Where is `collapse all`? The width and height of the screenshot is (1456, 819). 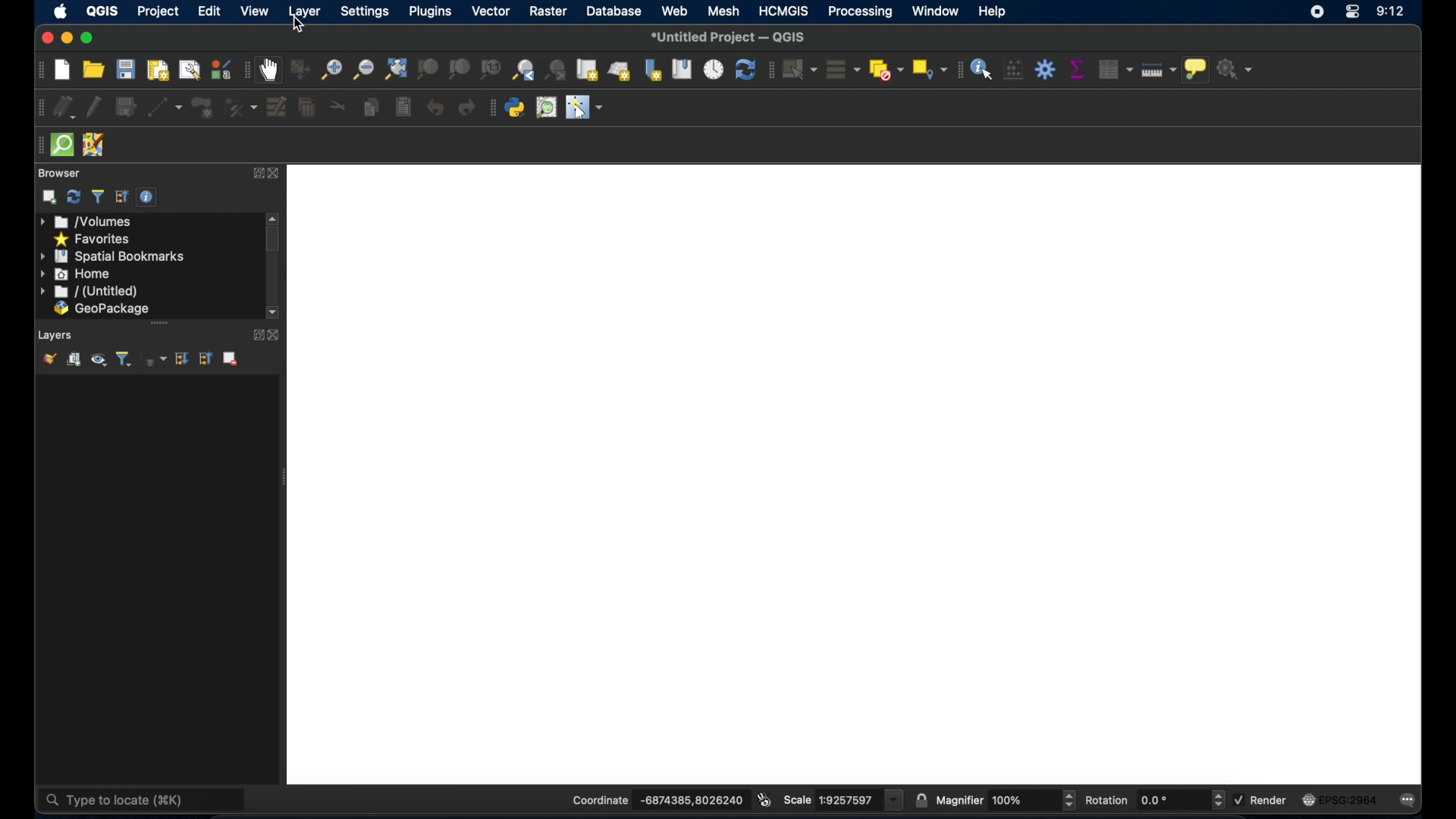
collapse all is located at coordinates (122, 197).